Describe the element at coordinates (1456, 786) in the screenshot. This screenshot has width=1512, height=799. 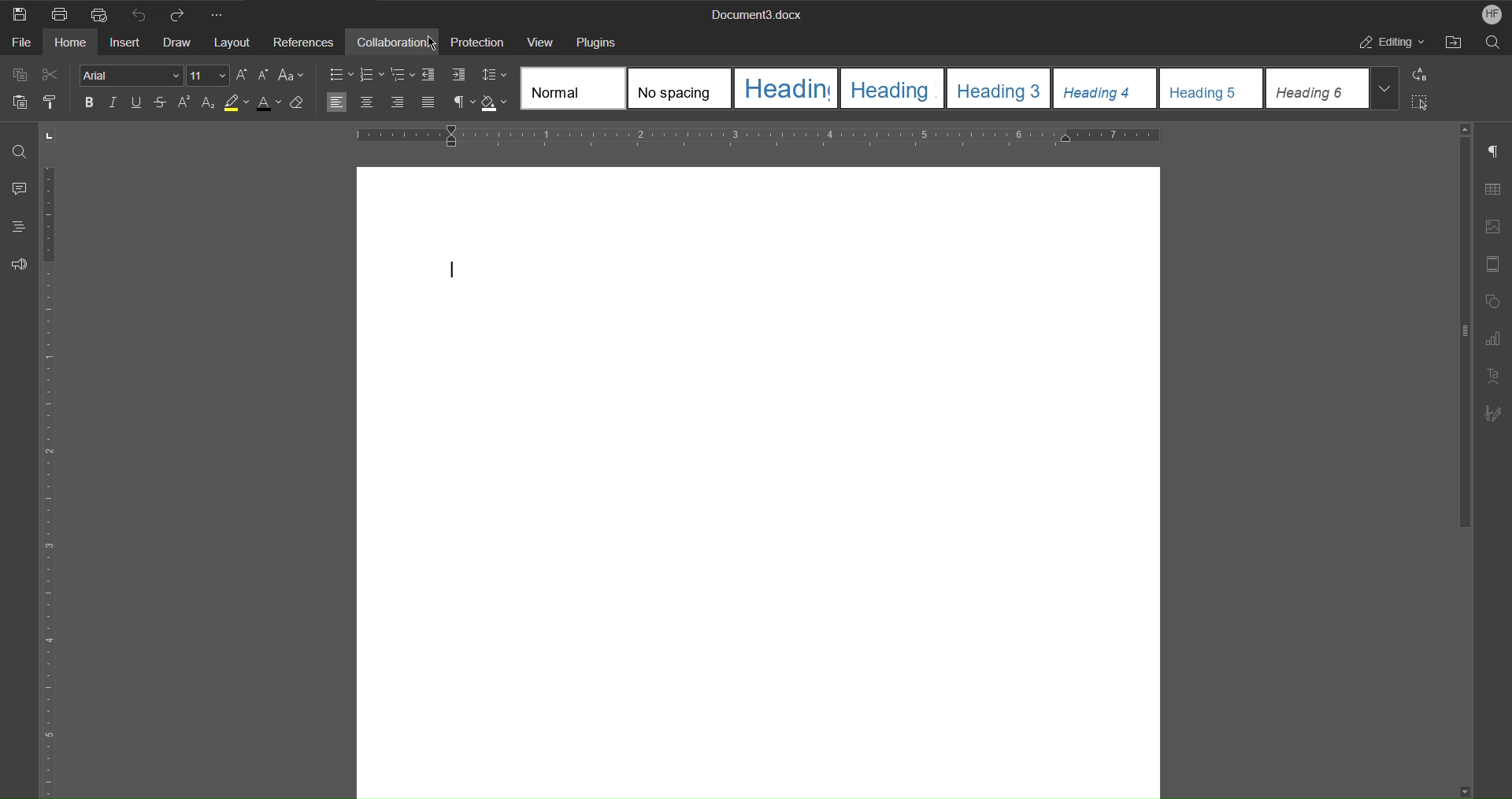
I see `Scroll down` at that location.